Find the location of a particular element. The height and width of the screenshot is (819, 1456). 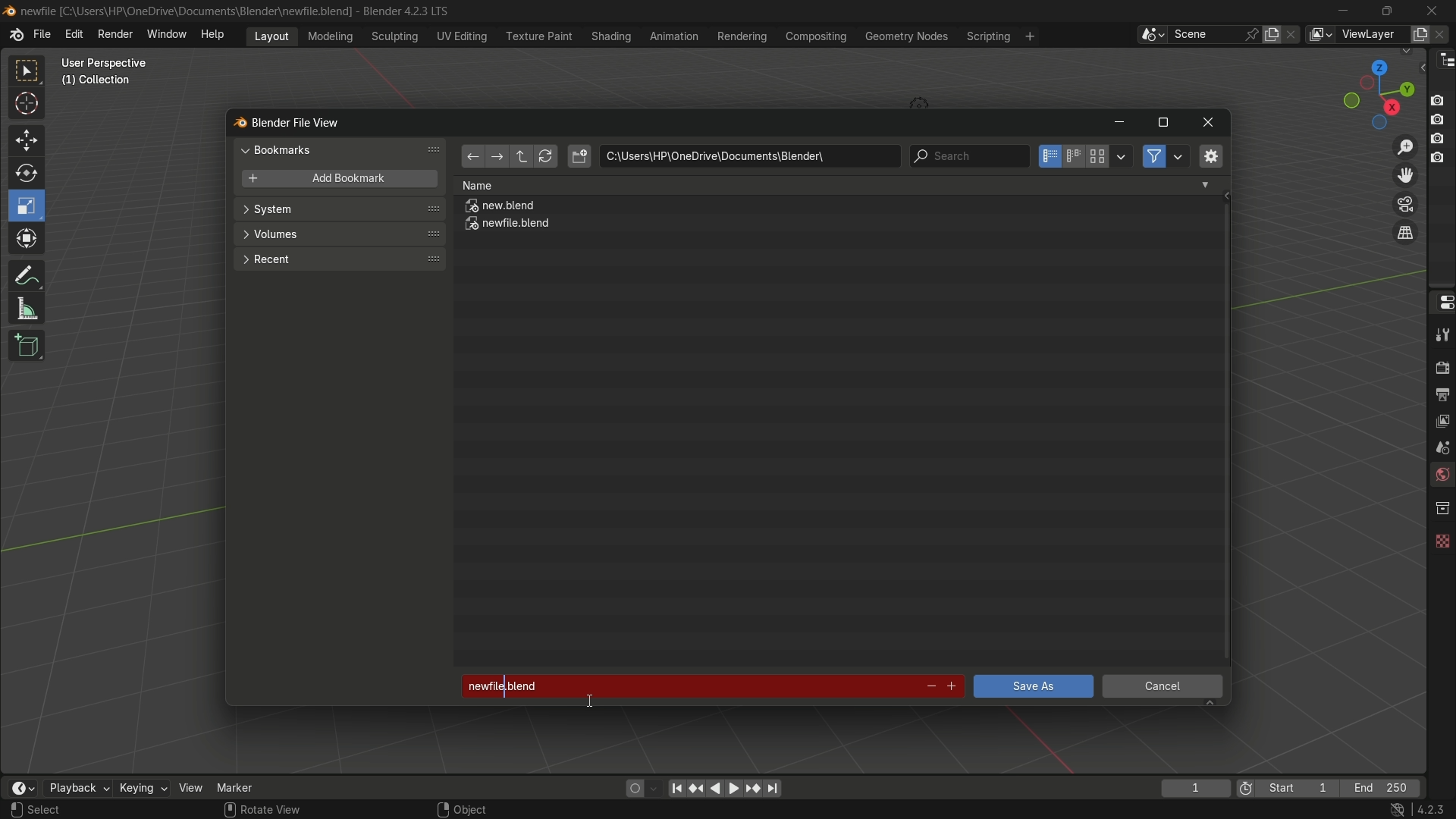

decrement number in file name is located at coordinates (929, 688).